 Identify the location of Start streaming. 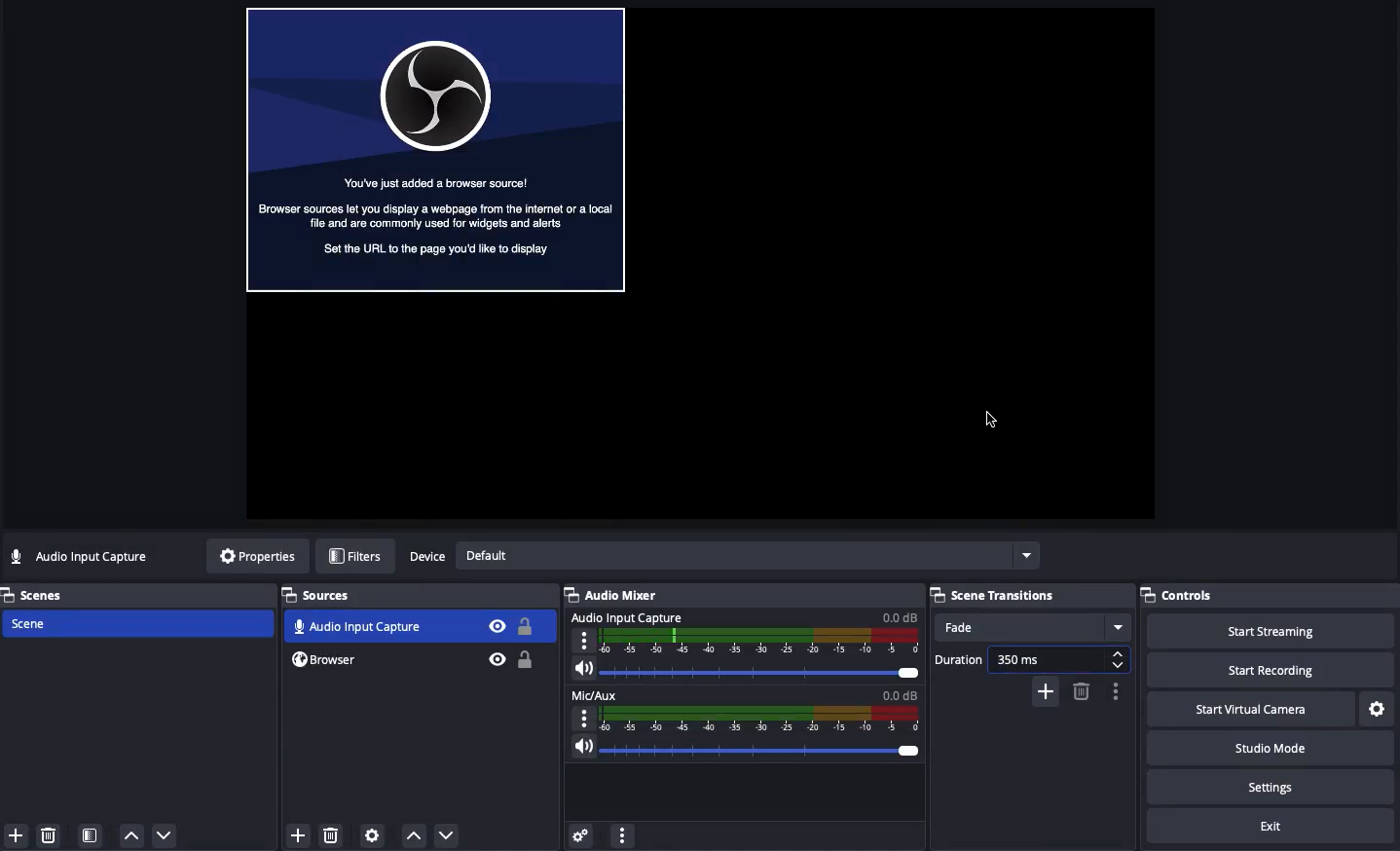
(1269, 632).